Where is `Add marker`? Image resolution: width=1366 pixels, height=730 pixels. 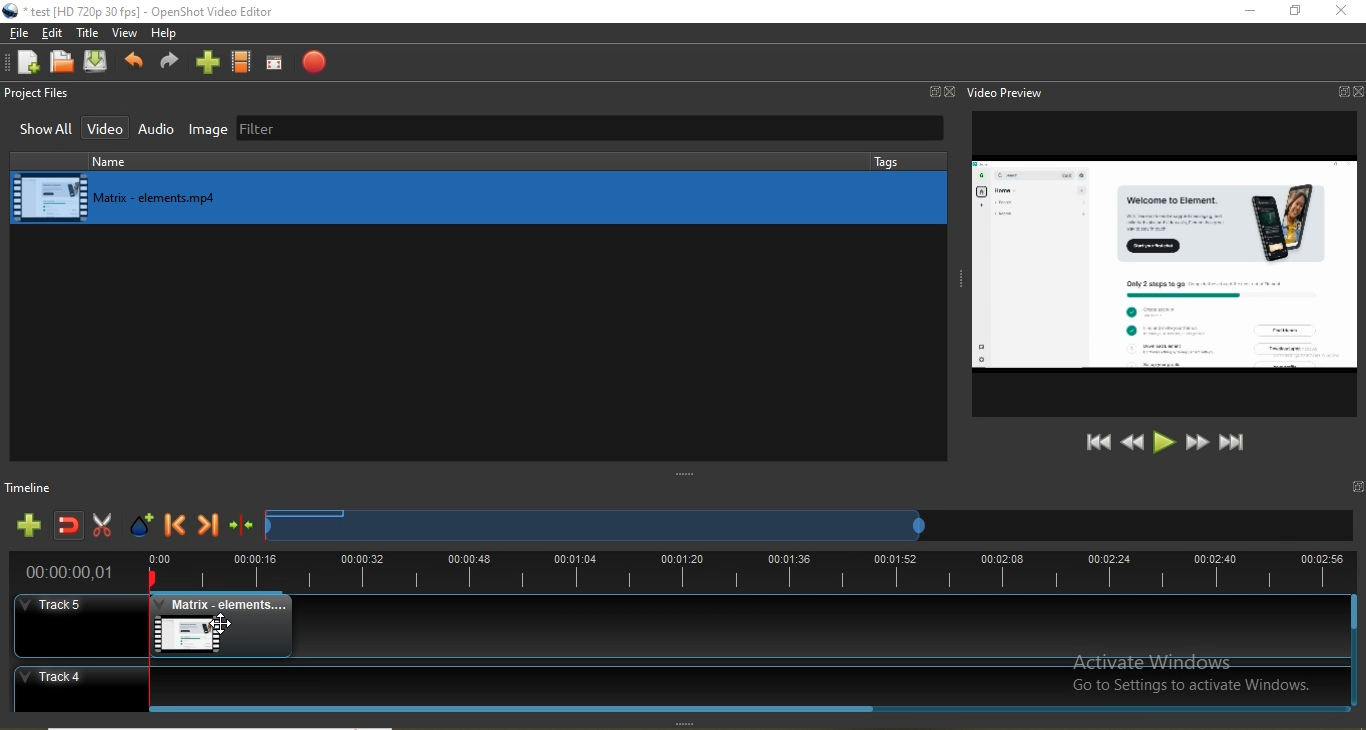 Add marker is located at coordinates (142, 529).